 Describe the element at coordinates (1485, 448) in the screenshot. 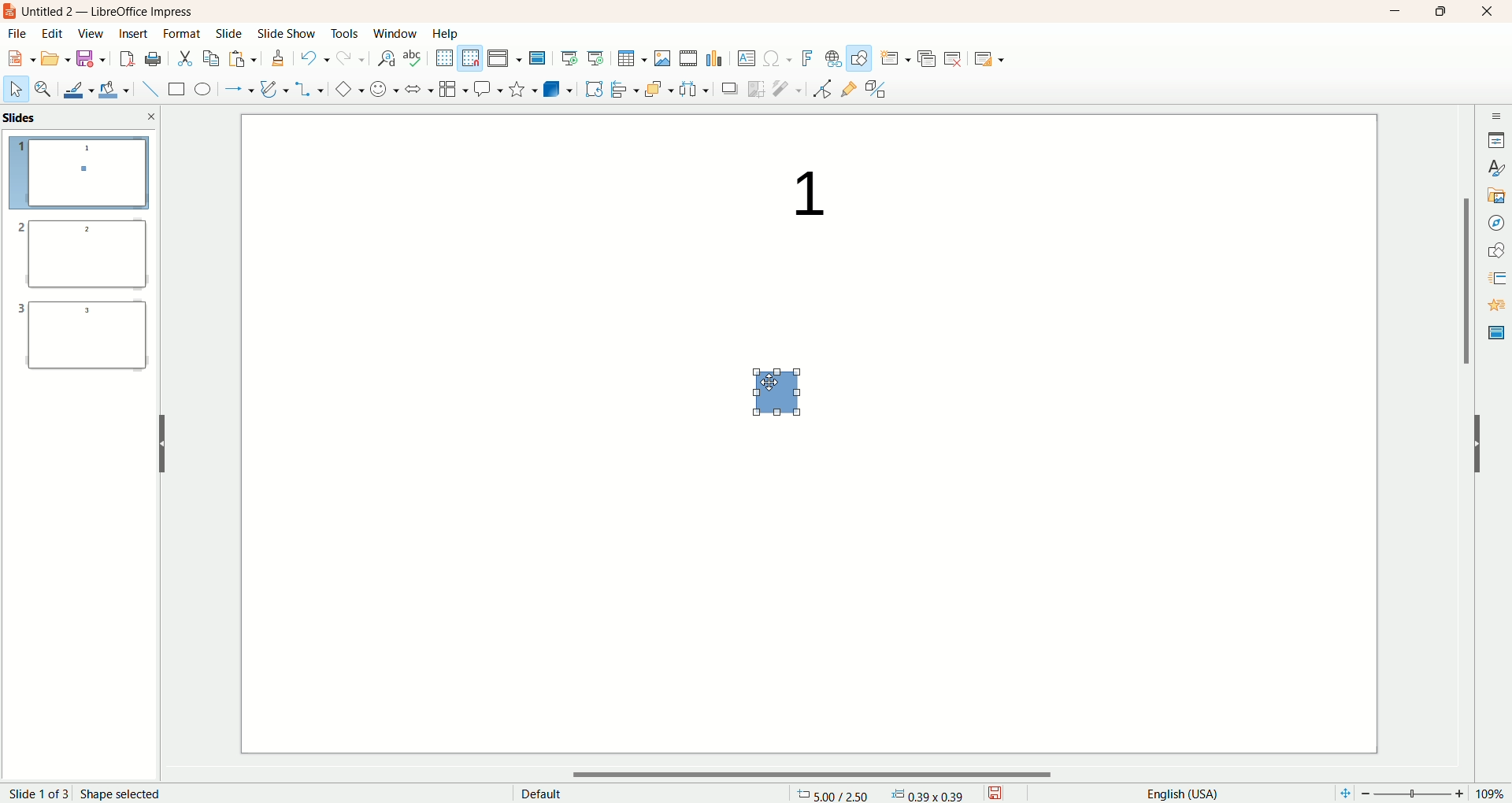

I see `hide` at that location.